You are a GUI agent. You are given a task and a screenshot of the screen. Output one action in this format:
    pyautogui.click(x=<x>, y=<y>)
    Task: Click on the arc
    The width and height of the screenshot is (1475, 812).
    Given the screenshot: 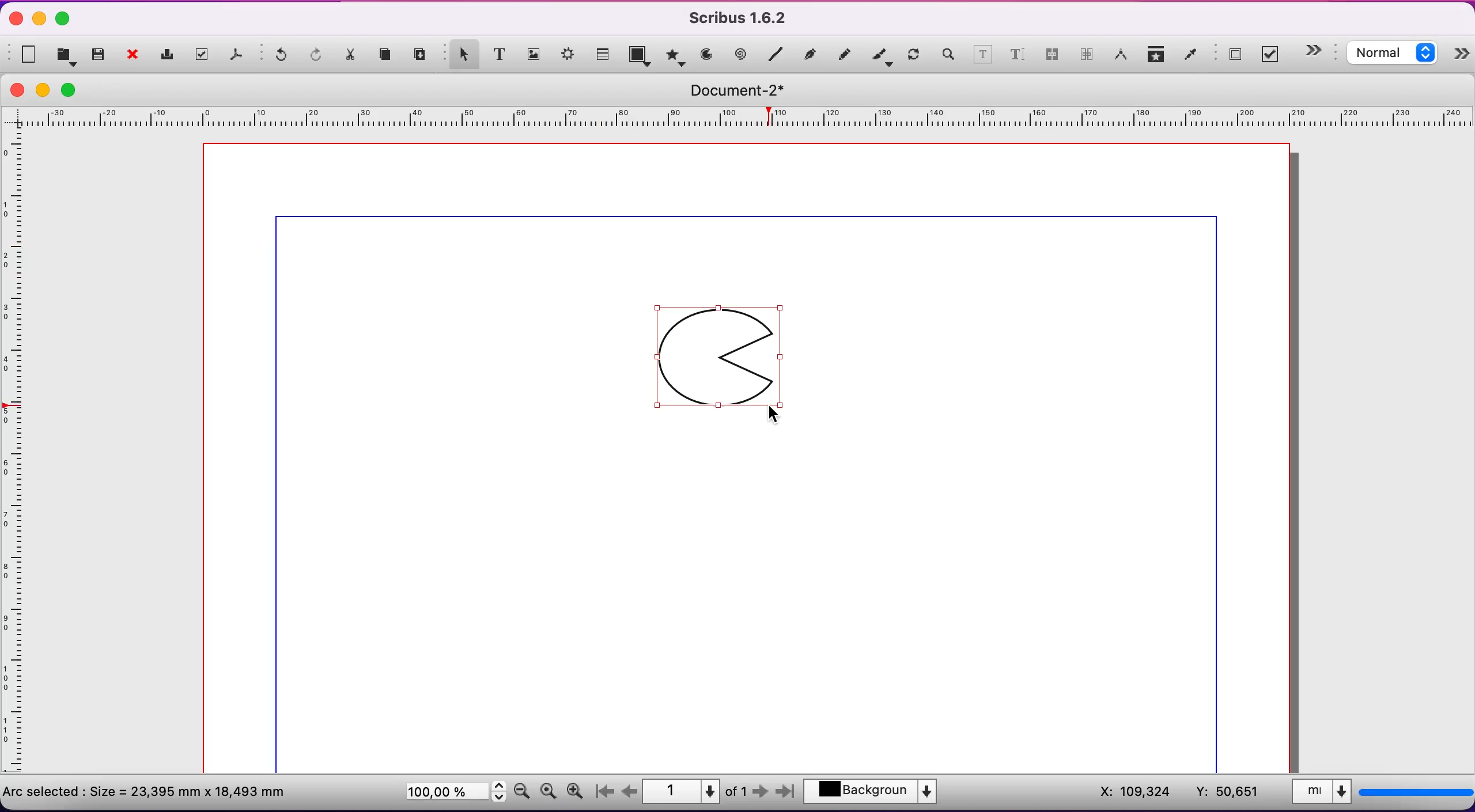 What is the action you would take?
    pyautogui.click(x=706, y=55)
    